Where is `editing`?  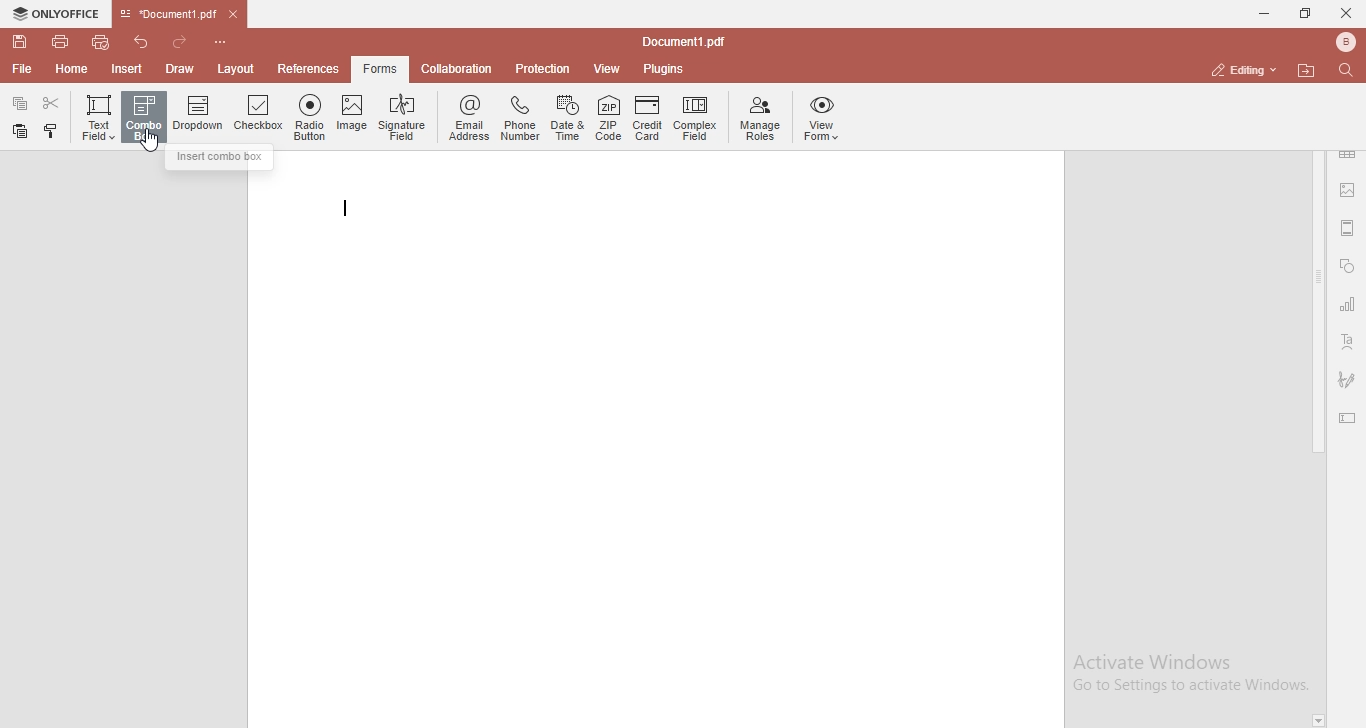
editing is located at coordinates (1241, 69).